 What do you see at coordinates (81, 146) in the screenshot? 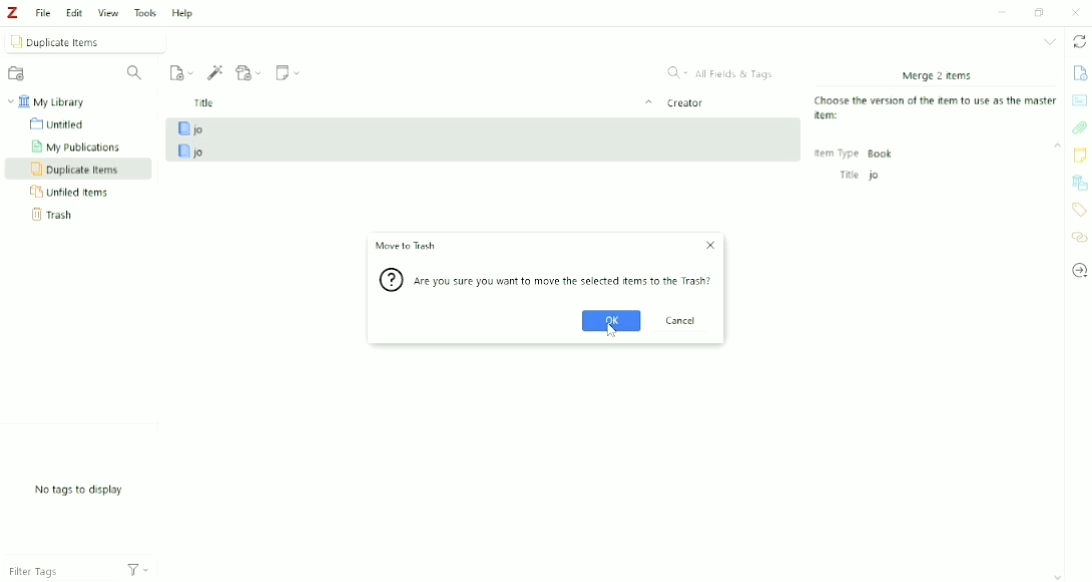
I see `My Publications` at bounding box center [81, 146].